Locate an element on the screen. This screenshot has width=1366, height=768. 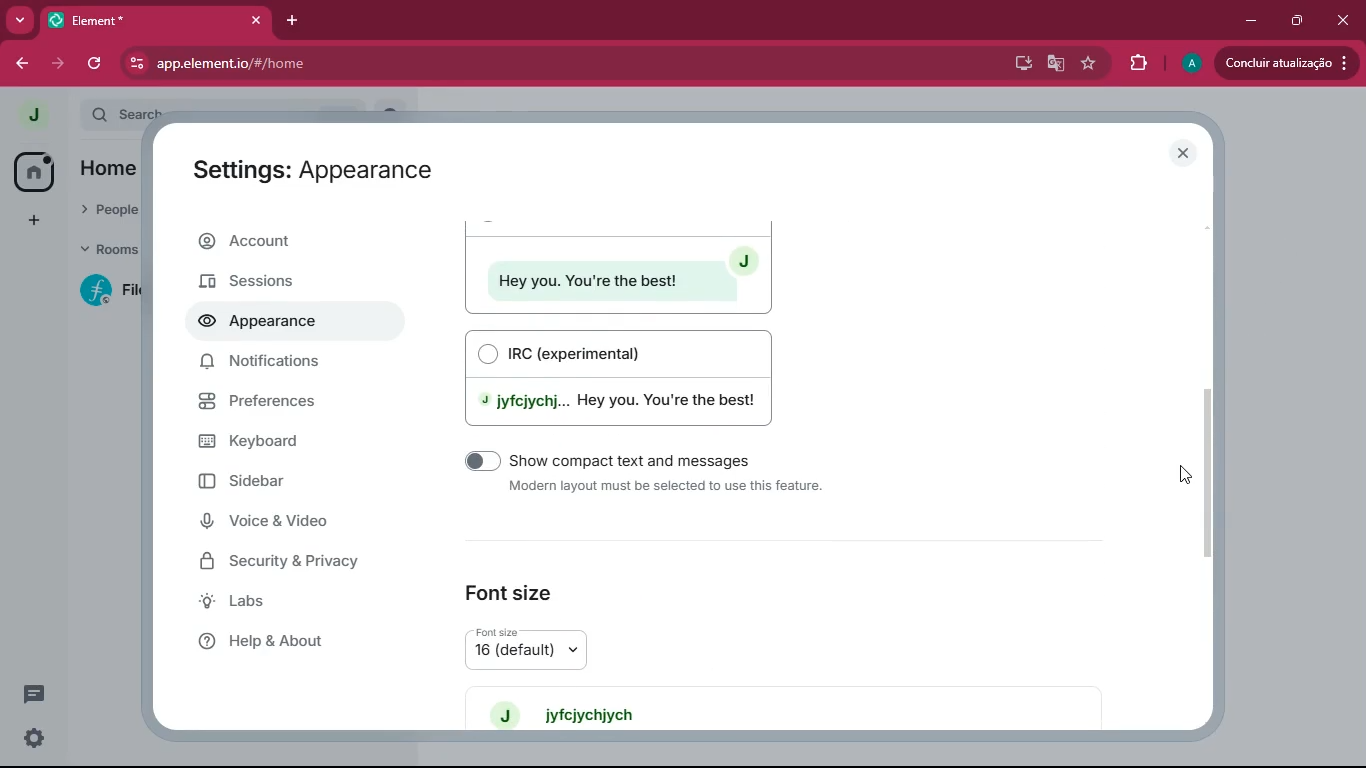
desktop is located at coordinates (1019, 64).